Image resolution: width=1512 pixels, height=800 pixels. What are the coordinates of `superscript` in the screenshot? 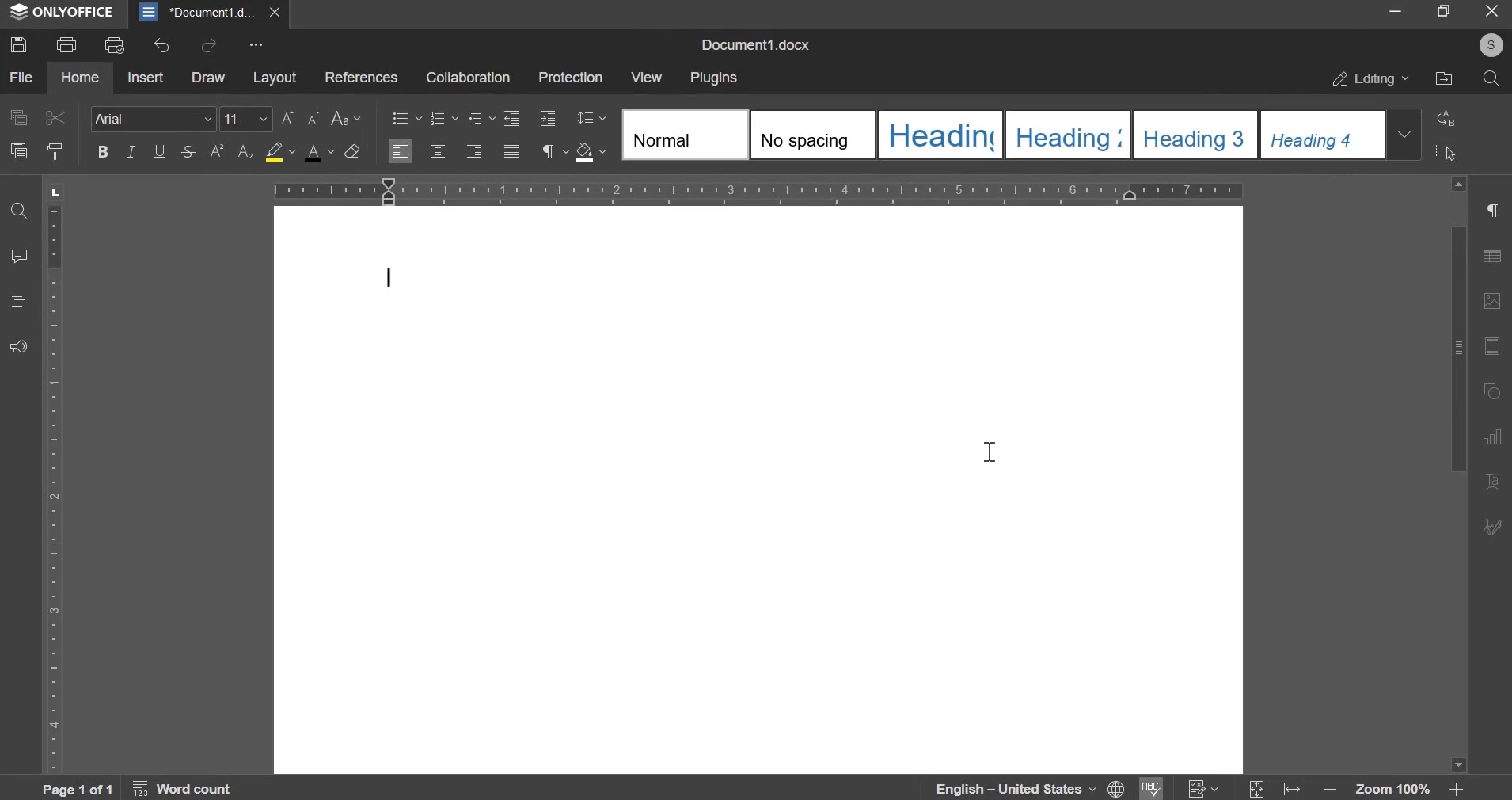 It's located at (246, 150).